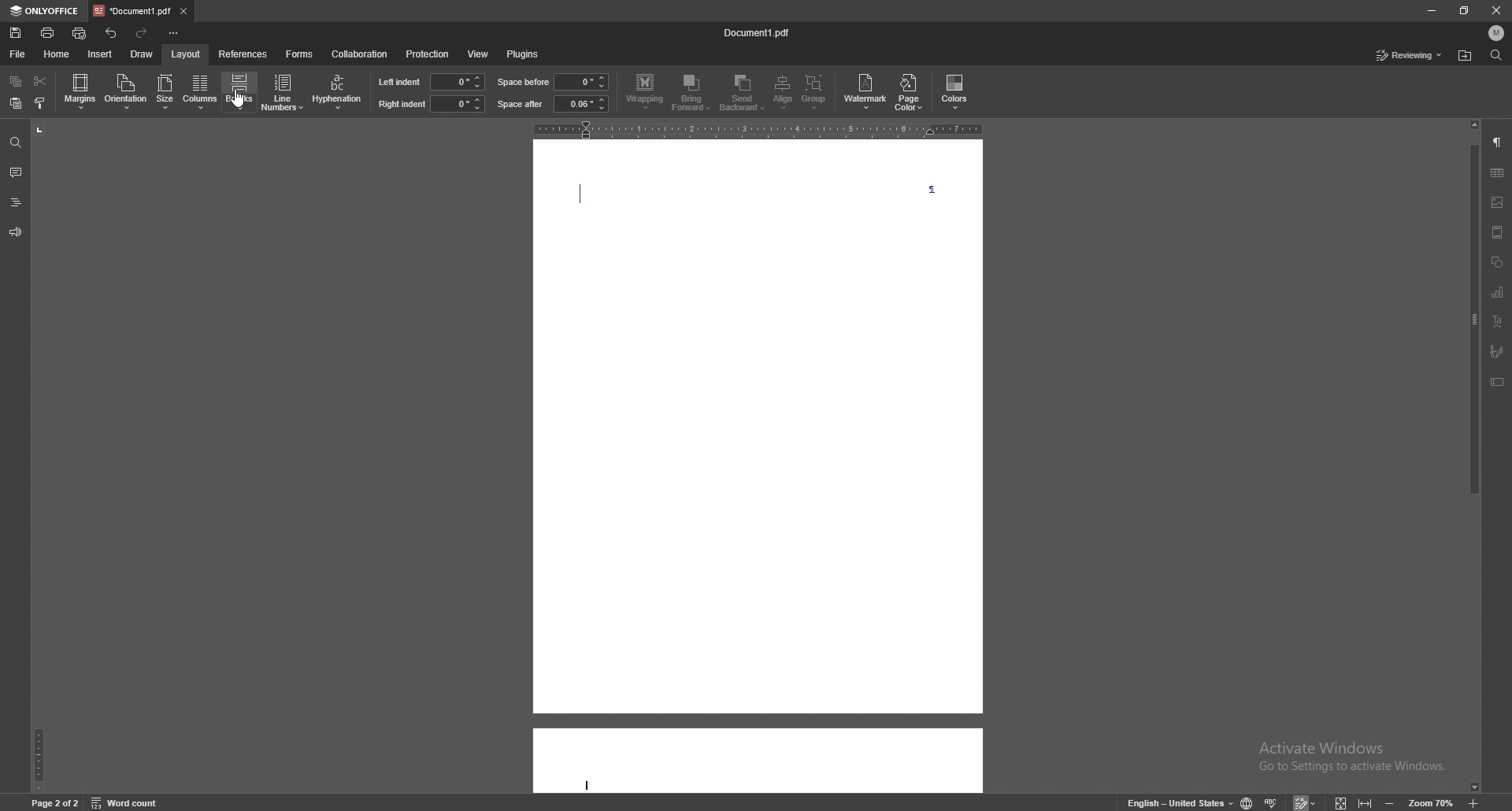 Image resolution: width=1512 pixels, height=811 pixels. Describe the element at coordinates (1498, 9) in the screenshot. I see `close` at that location.